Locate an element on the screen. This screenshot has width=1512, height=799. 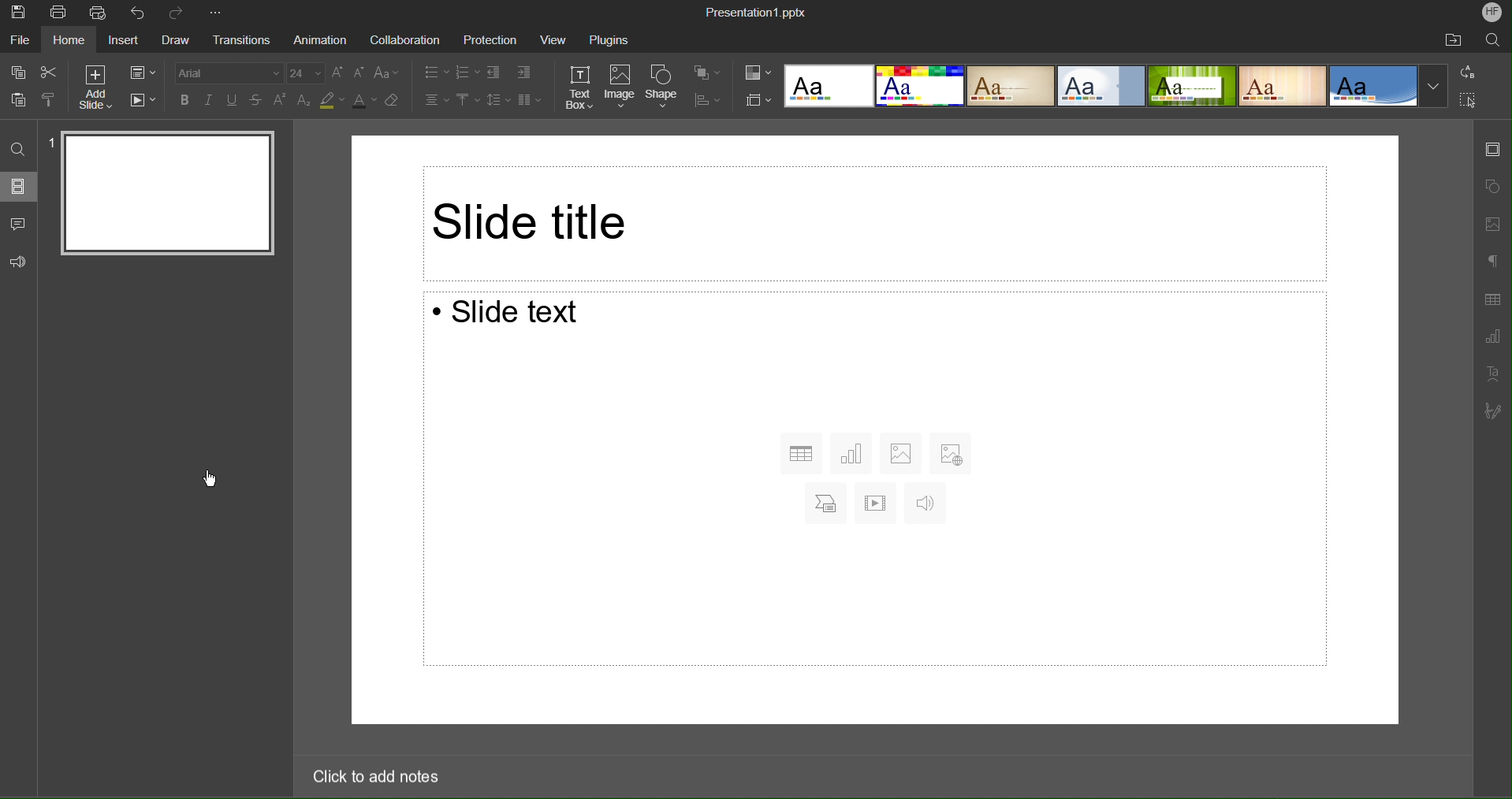
Slide Settings is located at coordinates (1494, 149).